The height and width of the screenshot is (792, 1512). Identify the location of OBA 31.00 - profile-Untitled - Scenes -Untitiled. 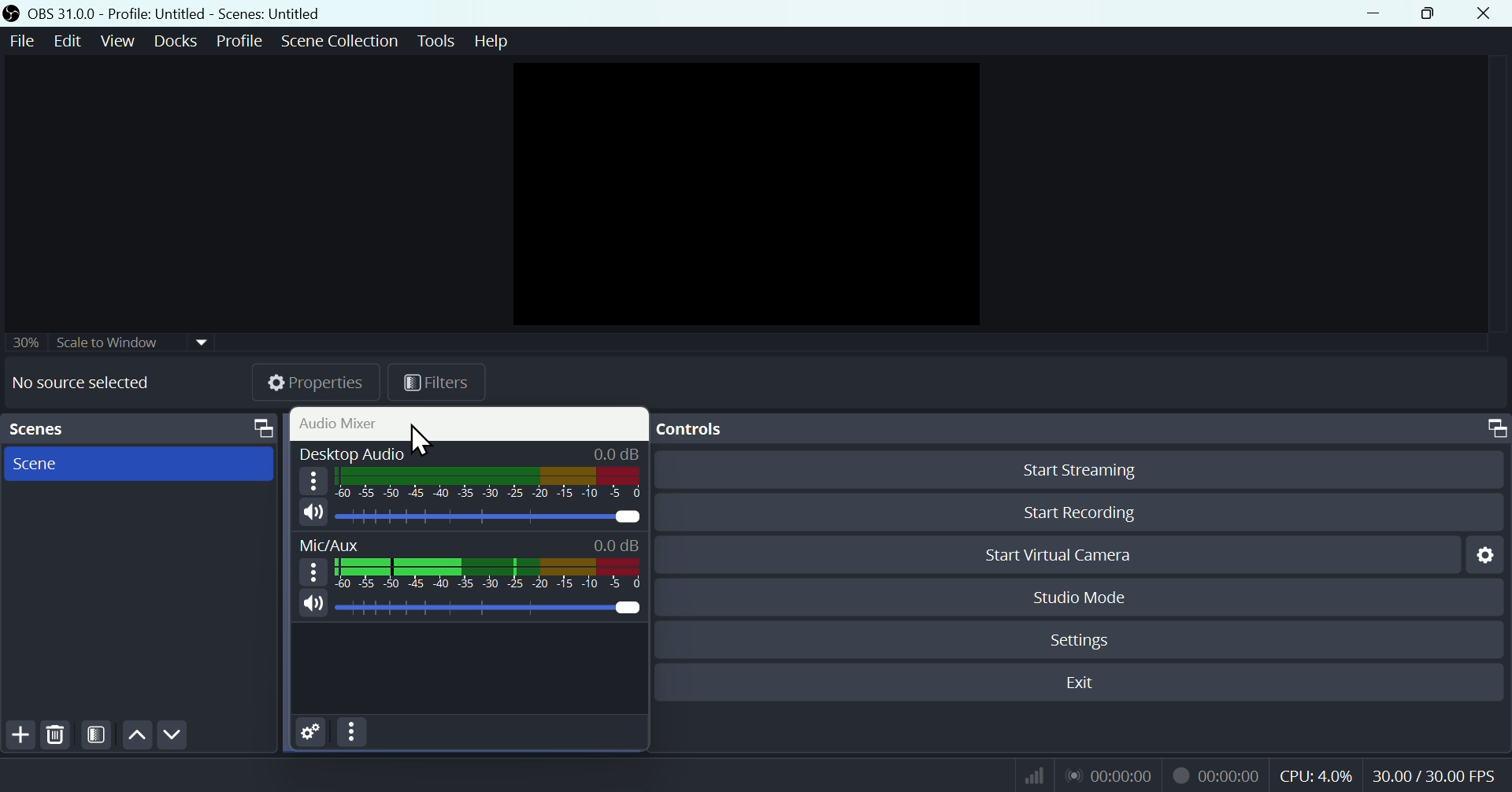
(200, 13).